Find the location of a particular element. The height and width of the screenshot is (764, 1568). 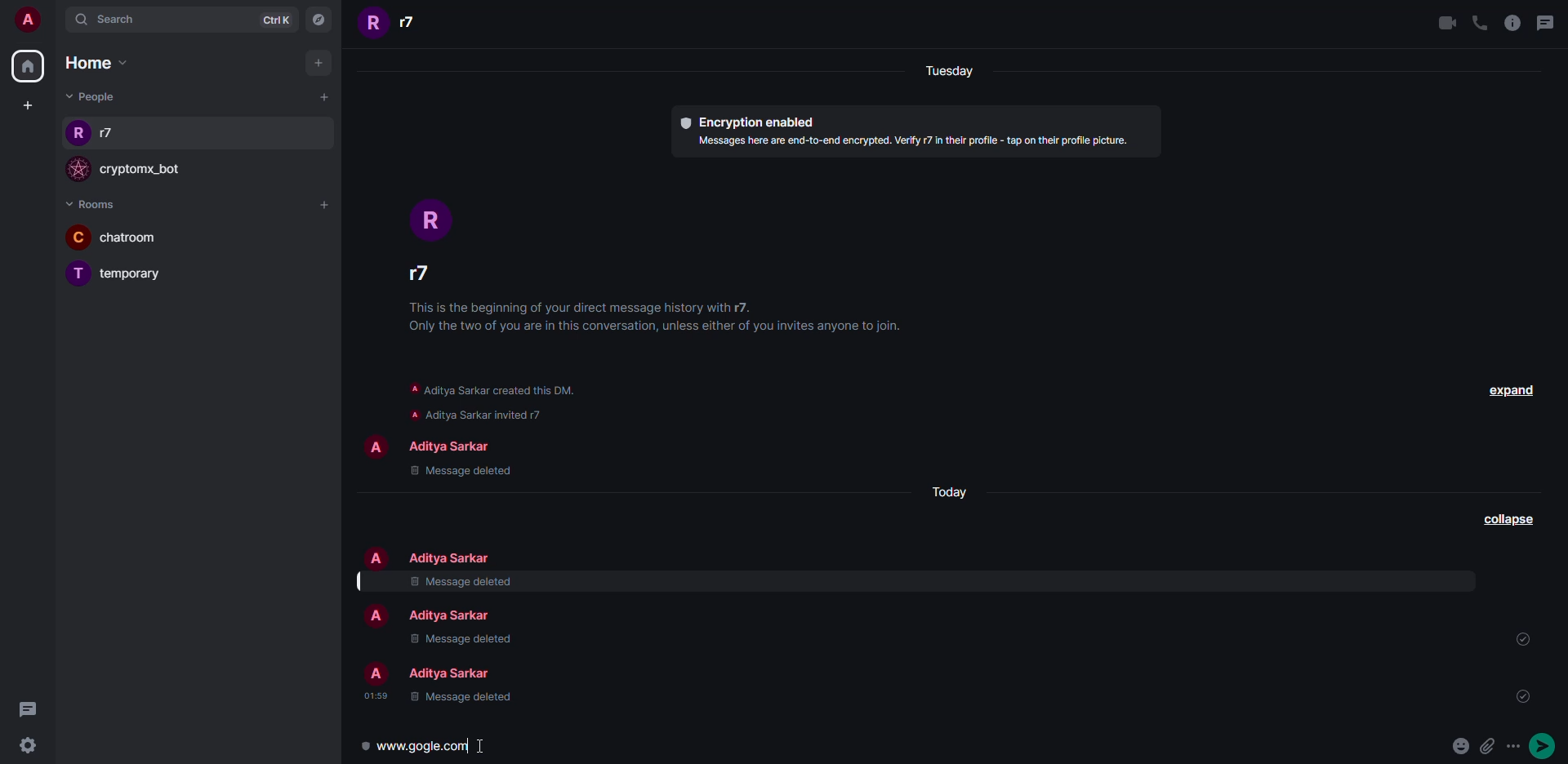

day is located at coordinates (946, 71).